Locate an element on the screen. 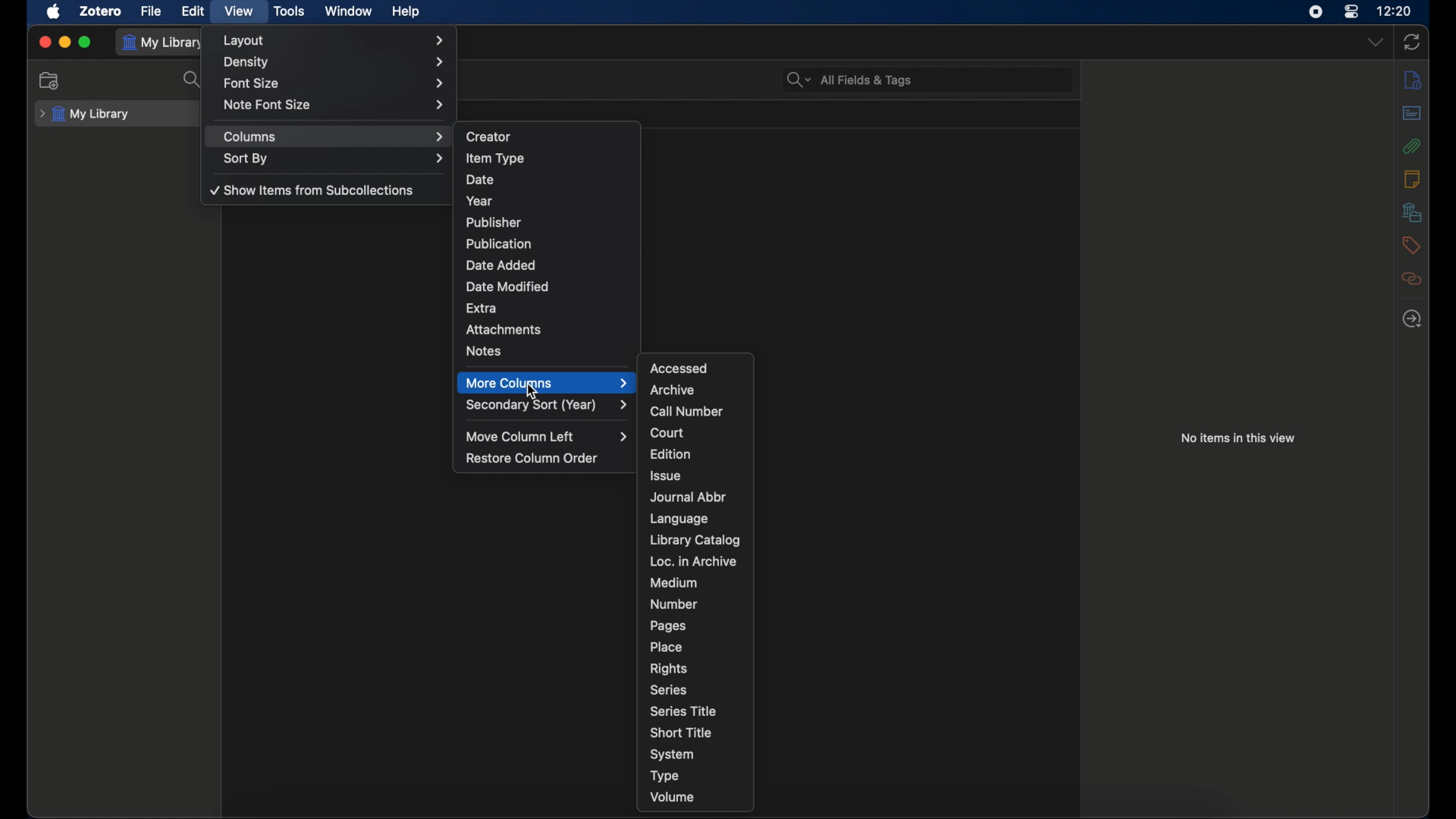 The image size is (1456, 819). dropdown is located at coordinates (1377, 43).